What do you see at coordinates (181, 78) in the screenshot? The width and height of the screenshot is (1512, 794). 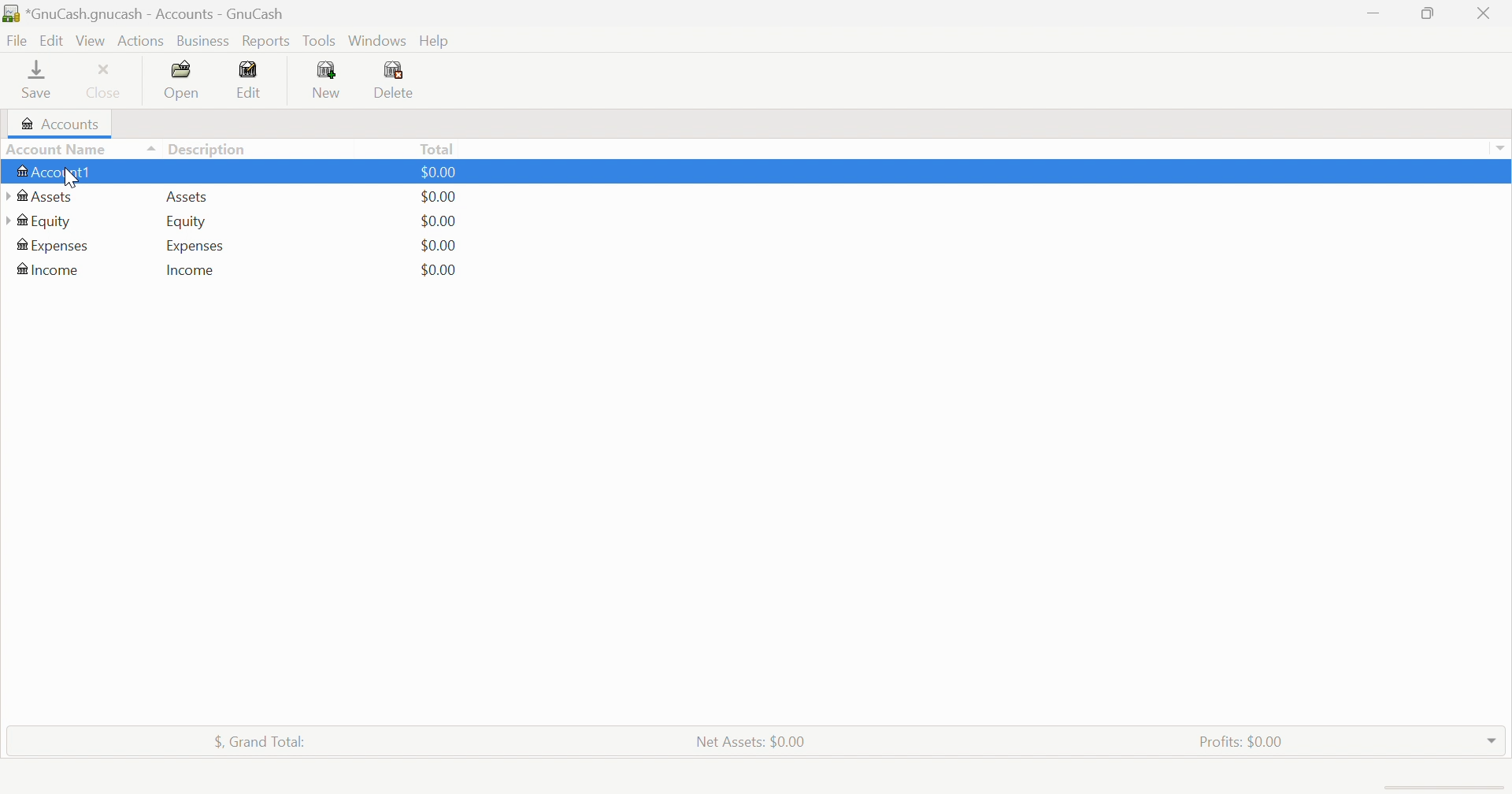 I see `Open` at bounding box center [181, 78].